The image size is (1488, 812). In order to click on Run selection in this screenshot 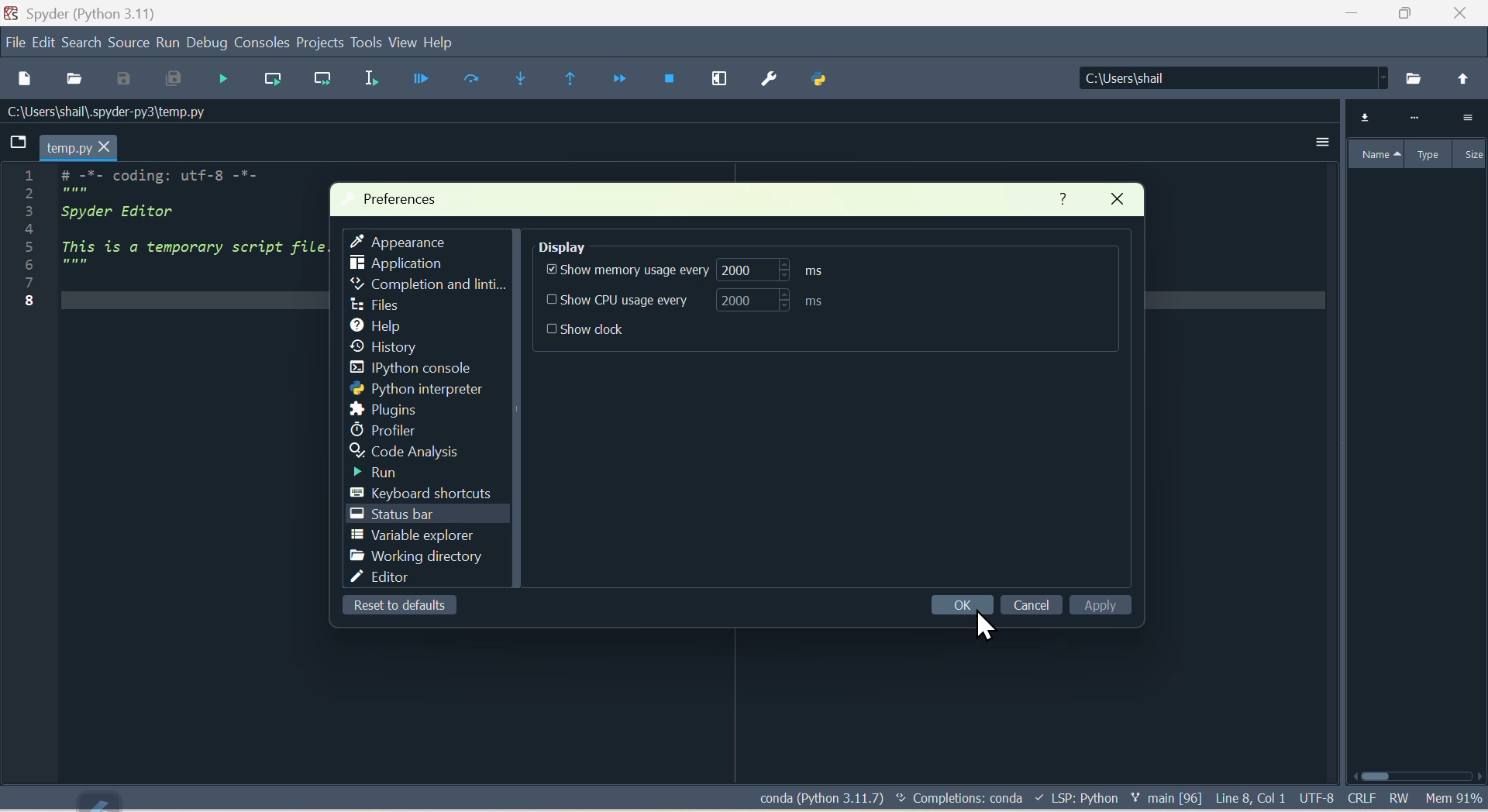, I will do `click(367, 80)`.